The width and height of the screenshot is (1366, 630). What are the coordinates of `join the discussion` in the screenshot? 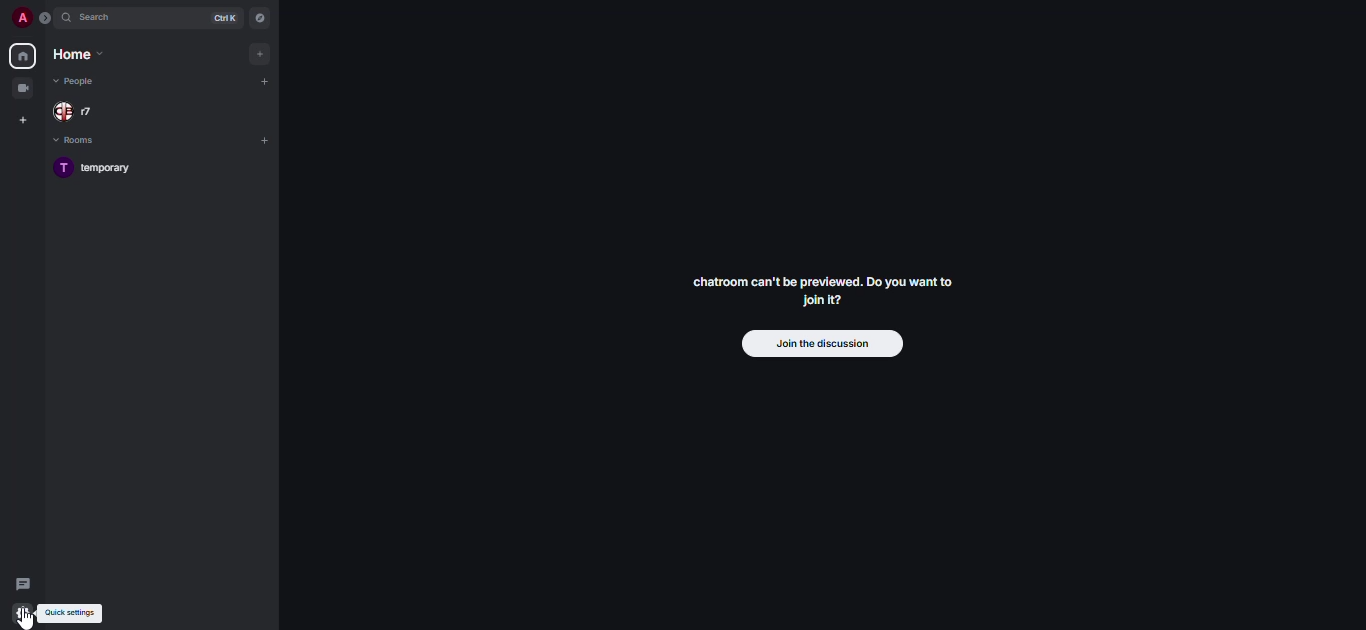 It's located at (820, 343).